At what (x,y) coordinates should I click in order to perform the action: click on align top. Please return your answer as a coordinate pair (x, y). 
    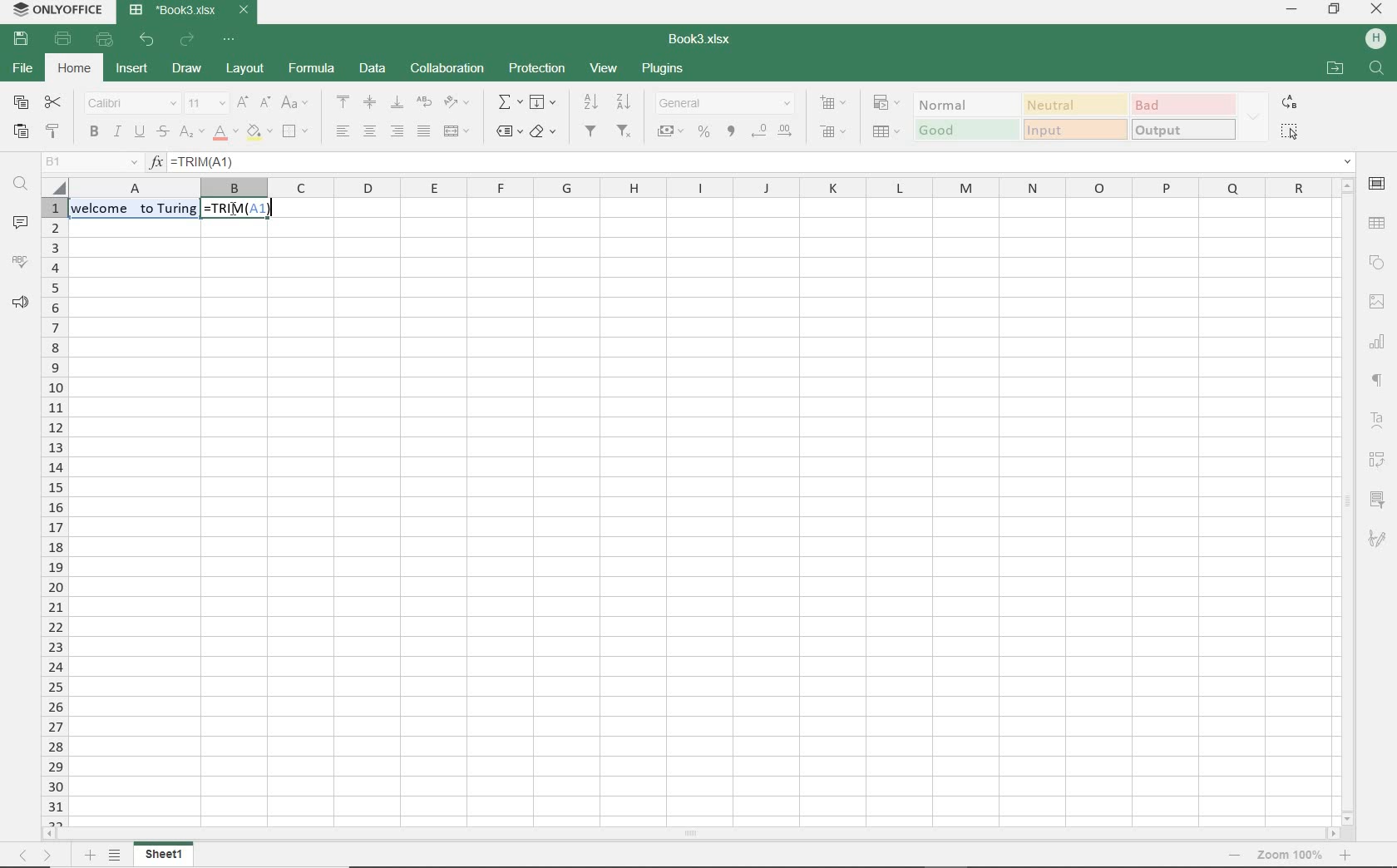
    Looking at the image, I should click on (343, 101).